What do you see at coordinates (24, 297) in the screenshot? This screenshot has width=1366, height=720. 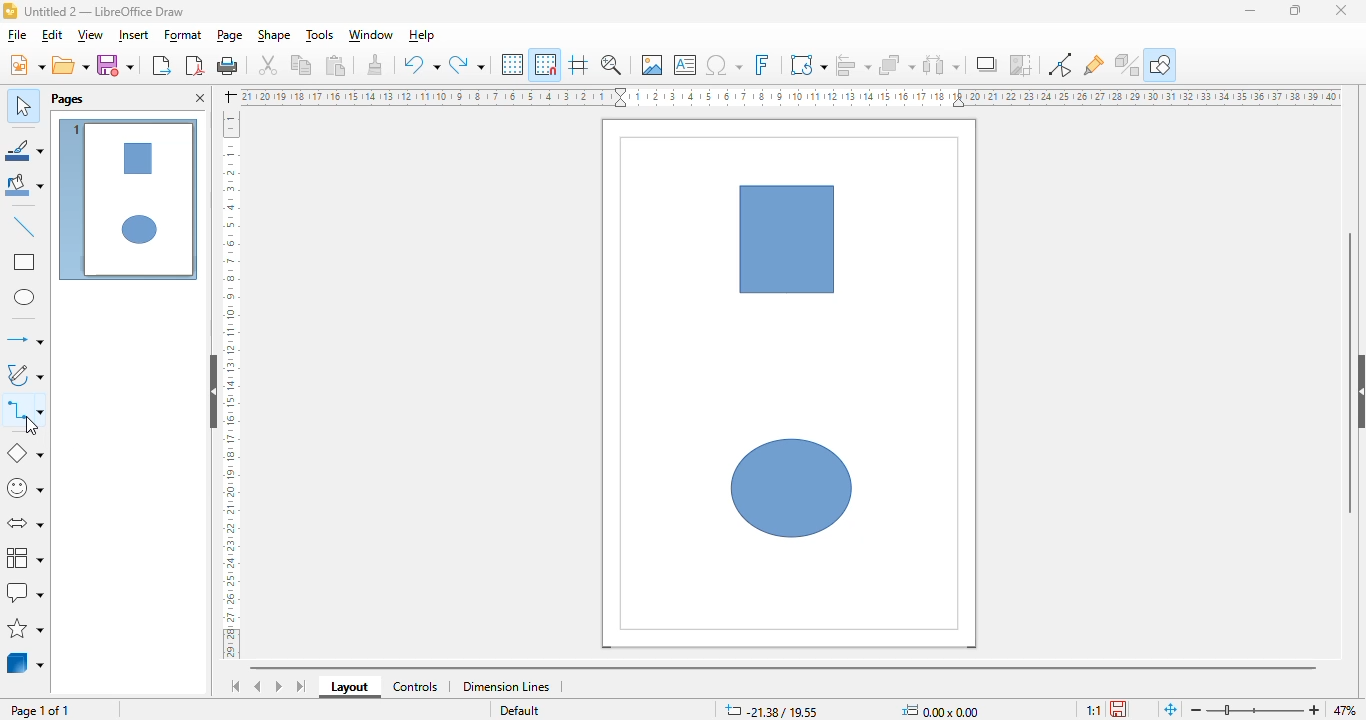 I see `ellipse` at bounding box center [24, 297].